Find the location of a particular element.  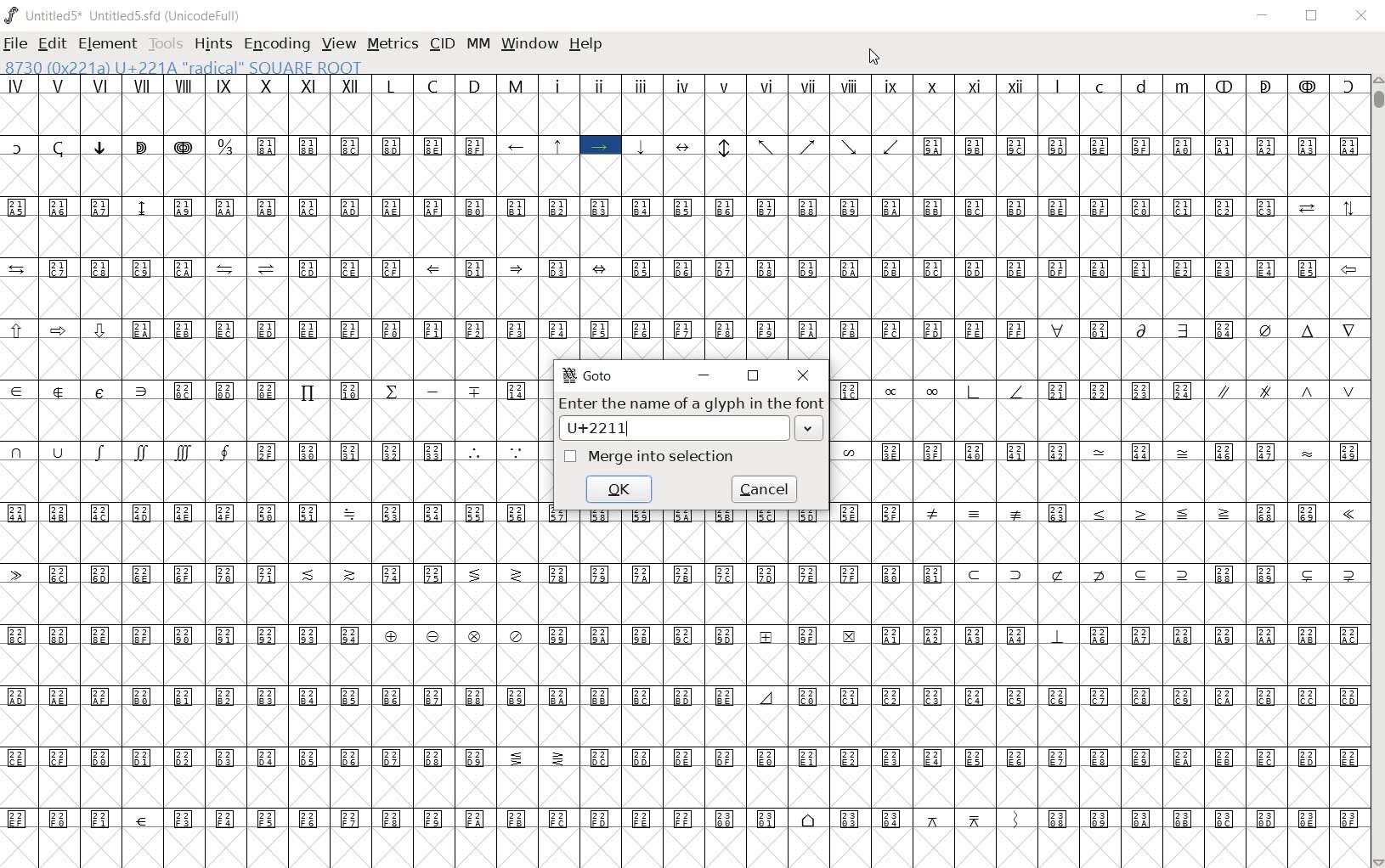

MINIMIZE is located at coordinates (704, 375).